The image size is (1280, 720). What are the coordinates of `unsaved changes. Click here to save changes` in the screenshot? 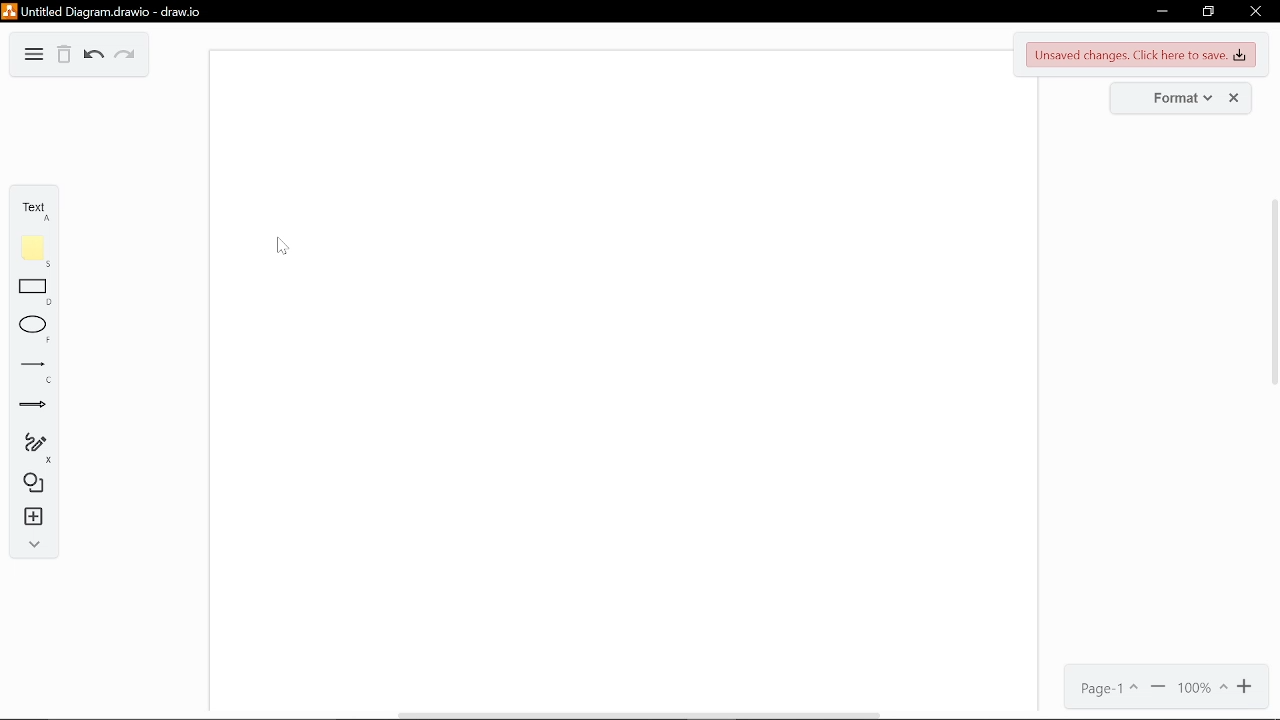 It's located at (1143, 55).